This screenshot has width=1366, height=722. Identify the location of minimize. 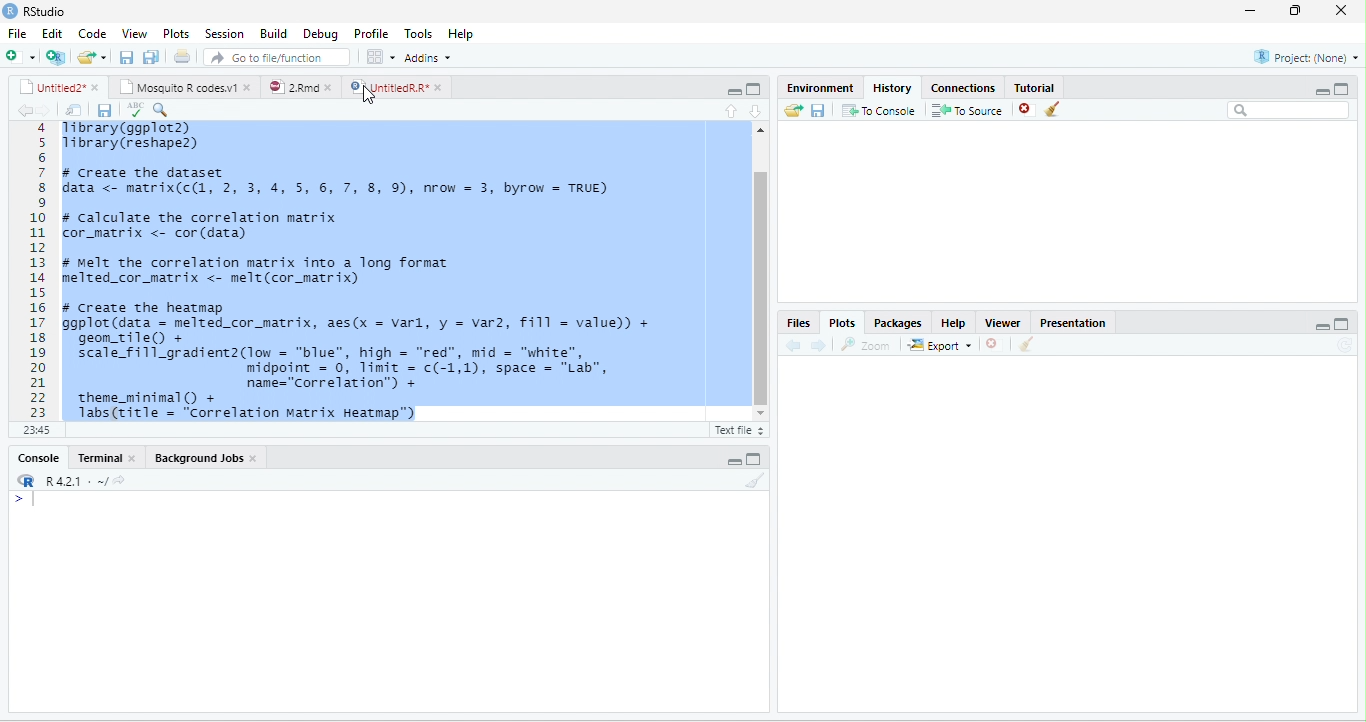
(728, 89).